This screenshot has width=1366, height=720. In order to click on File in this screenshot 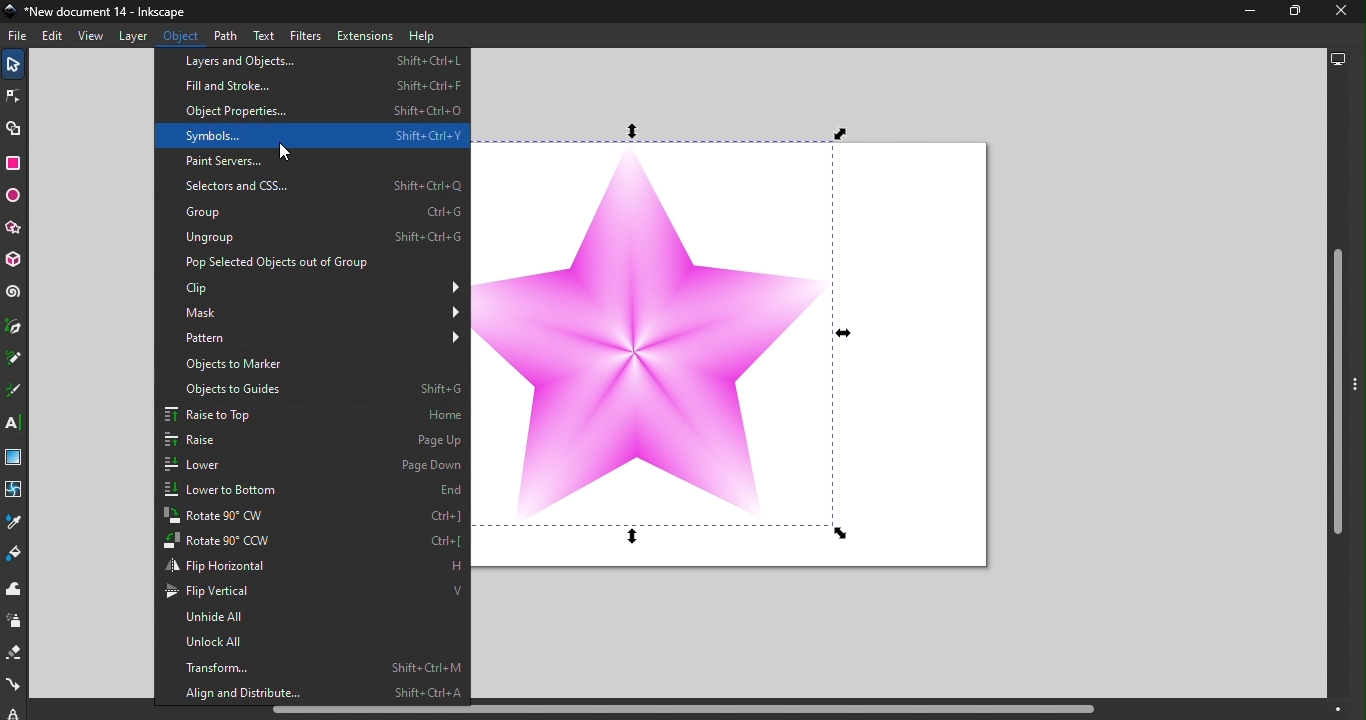, I will do `click(20, 38)`.